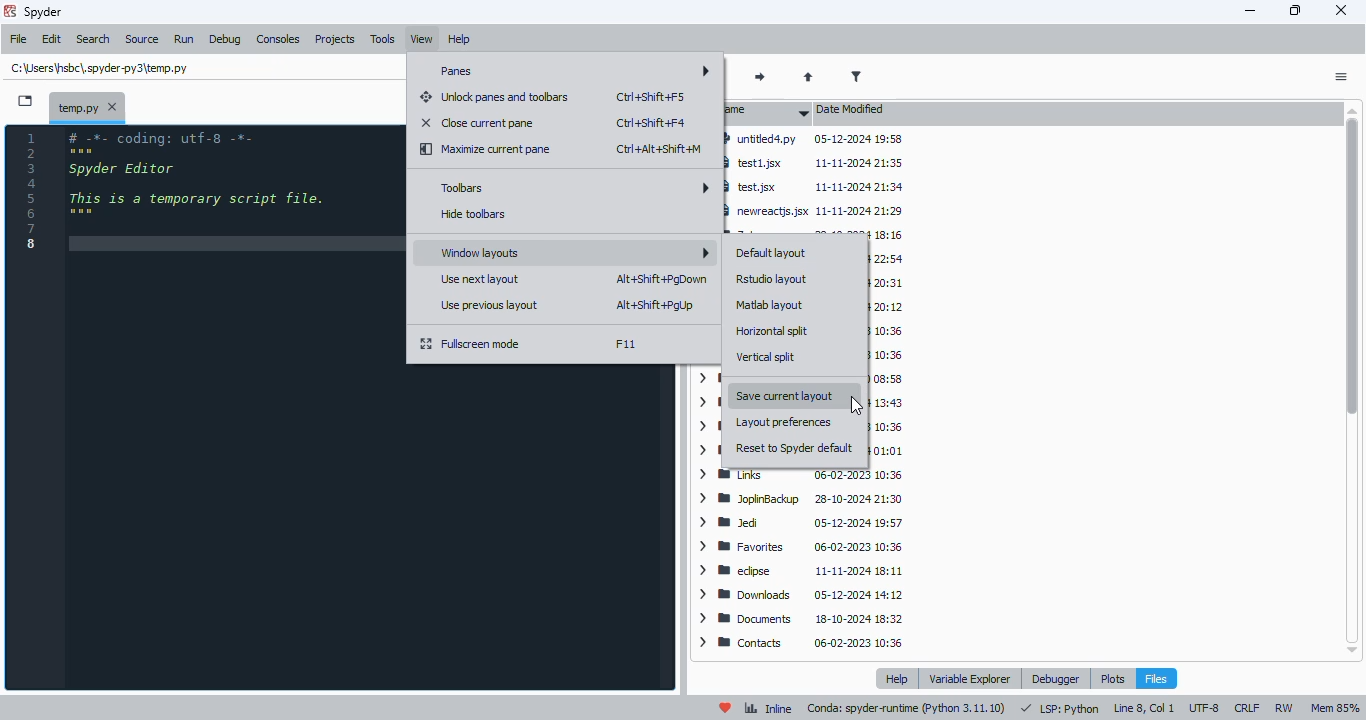 This screenshot has height=720, width=1366. I want to click on test1.jsx, so click(818, 163).